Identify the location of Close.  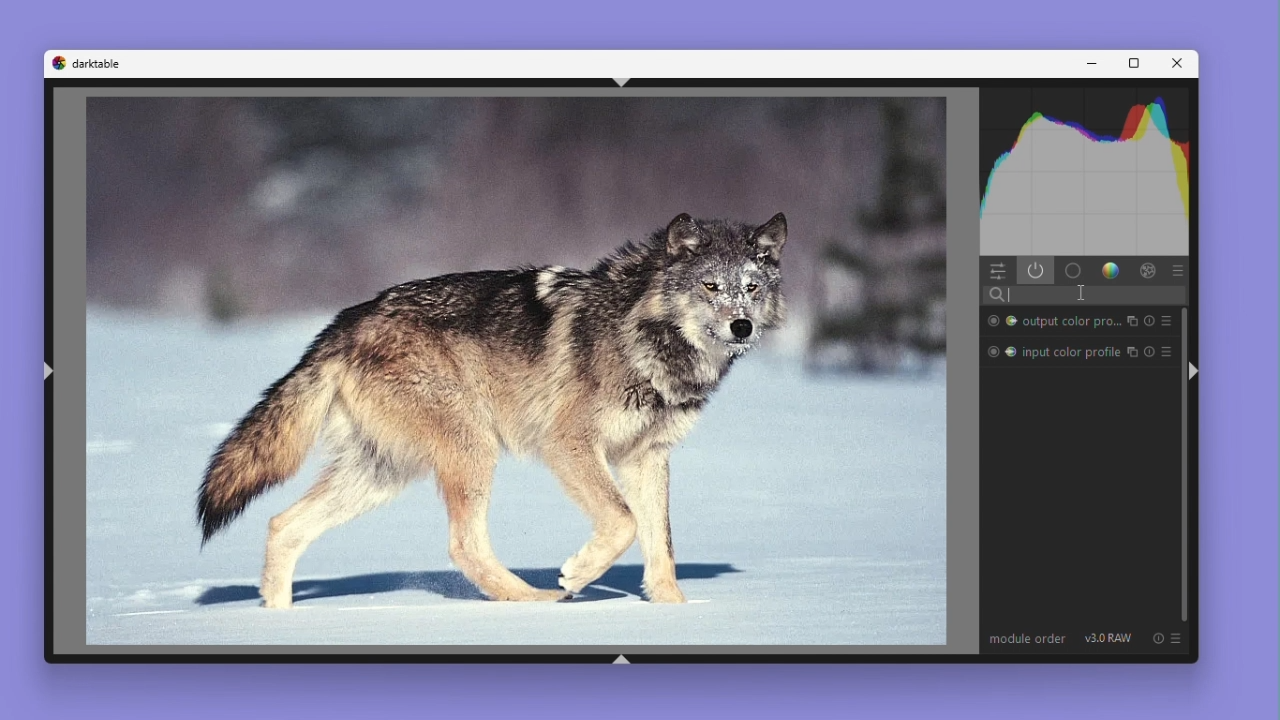
(1173, 63).